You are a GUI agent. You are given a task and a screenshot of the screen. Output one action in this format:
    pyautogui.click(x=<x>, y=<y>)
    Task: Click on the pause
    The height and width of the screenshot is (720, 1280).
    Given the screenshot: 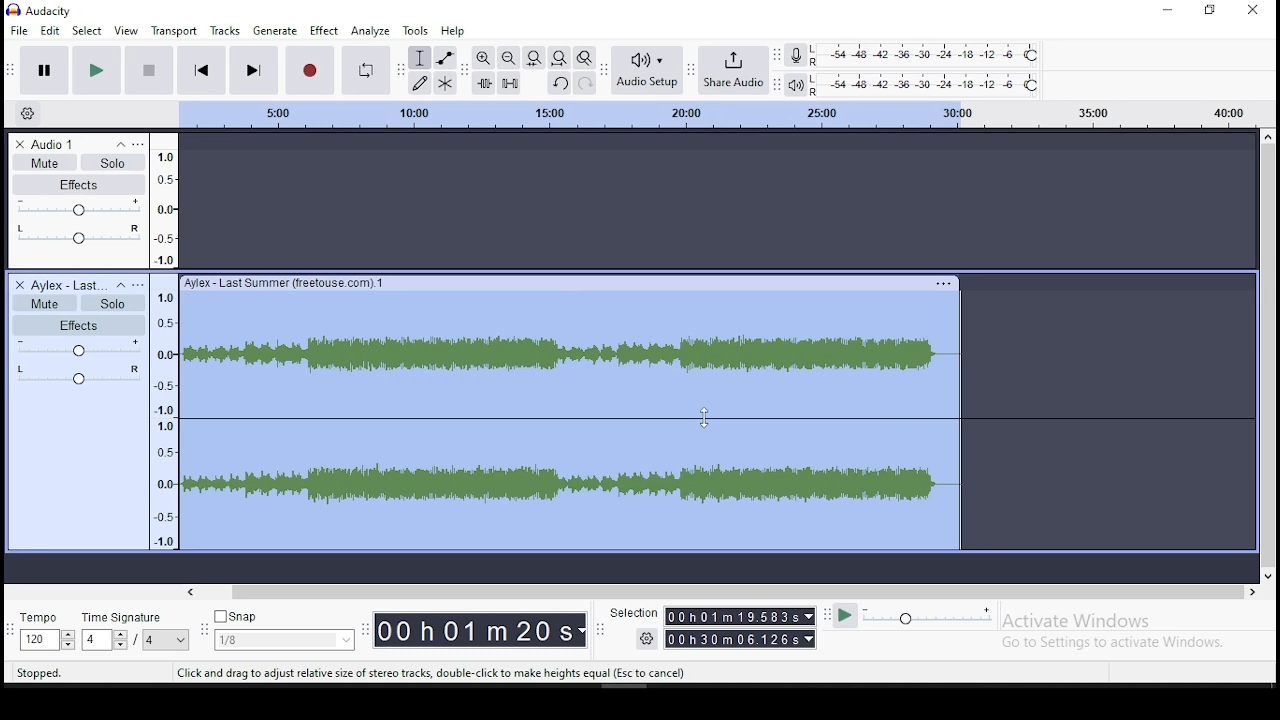 What is the action you would take?
    pyautogui.click(x=41, y=71)
    